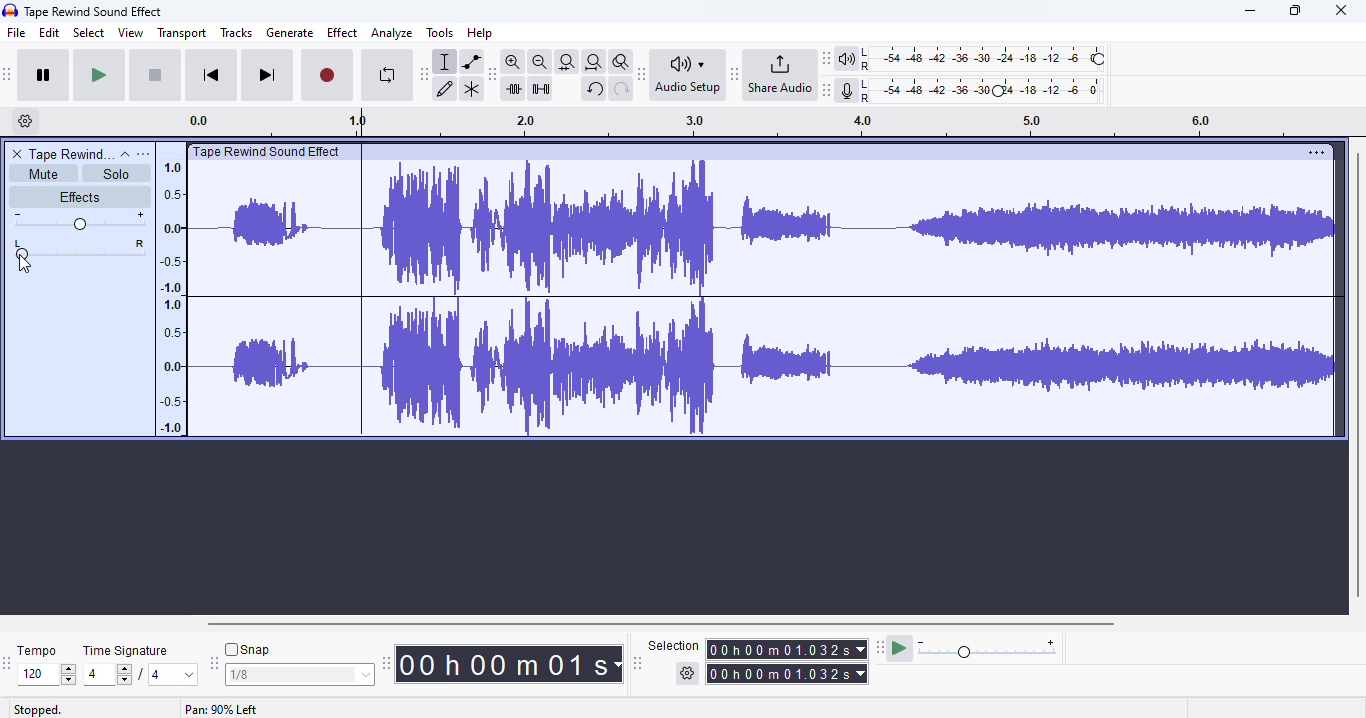  I want to click on effects, so click(79, 196).